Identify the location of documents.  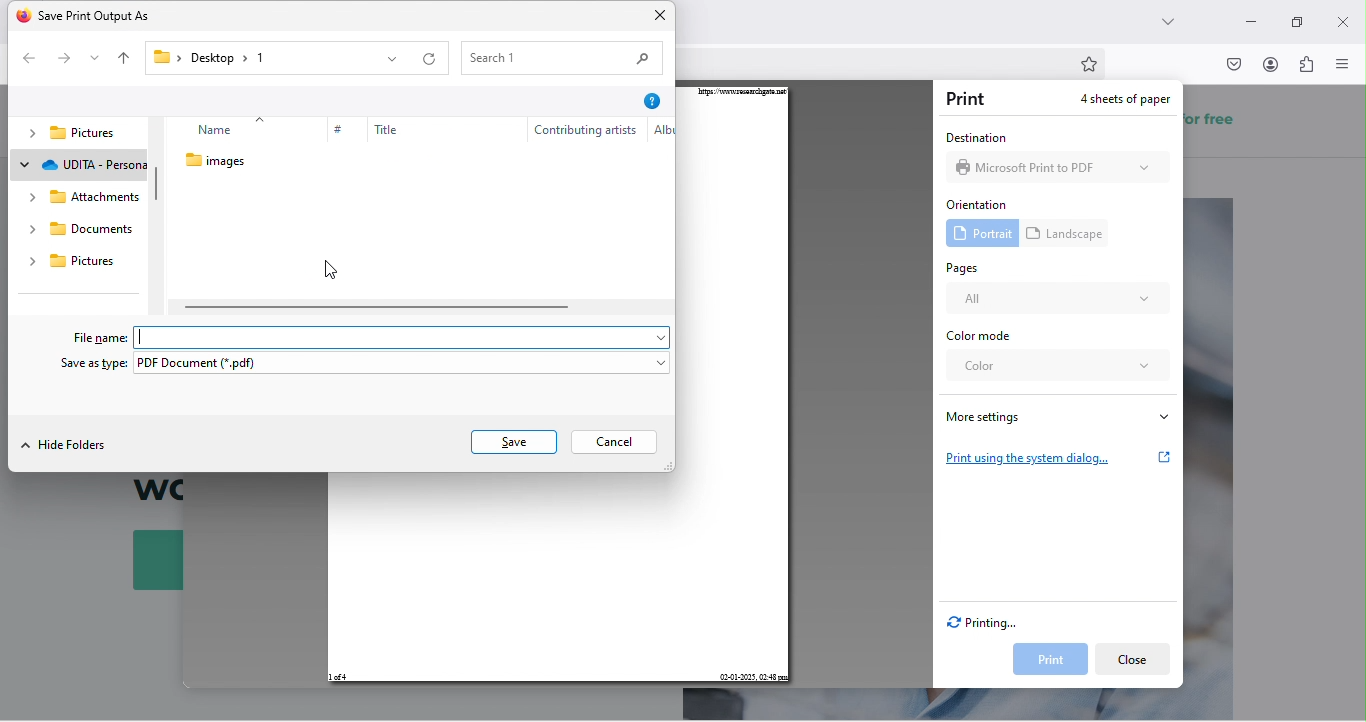
(82, 234).